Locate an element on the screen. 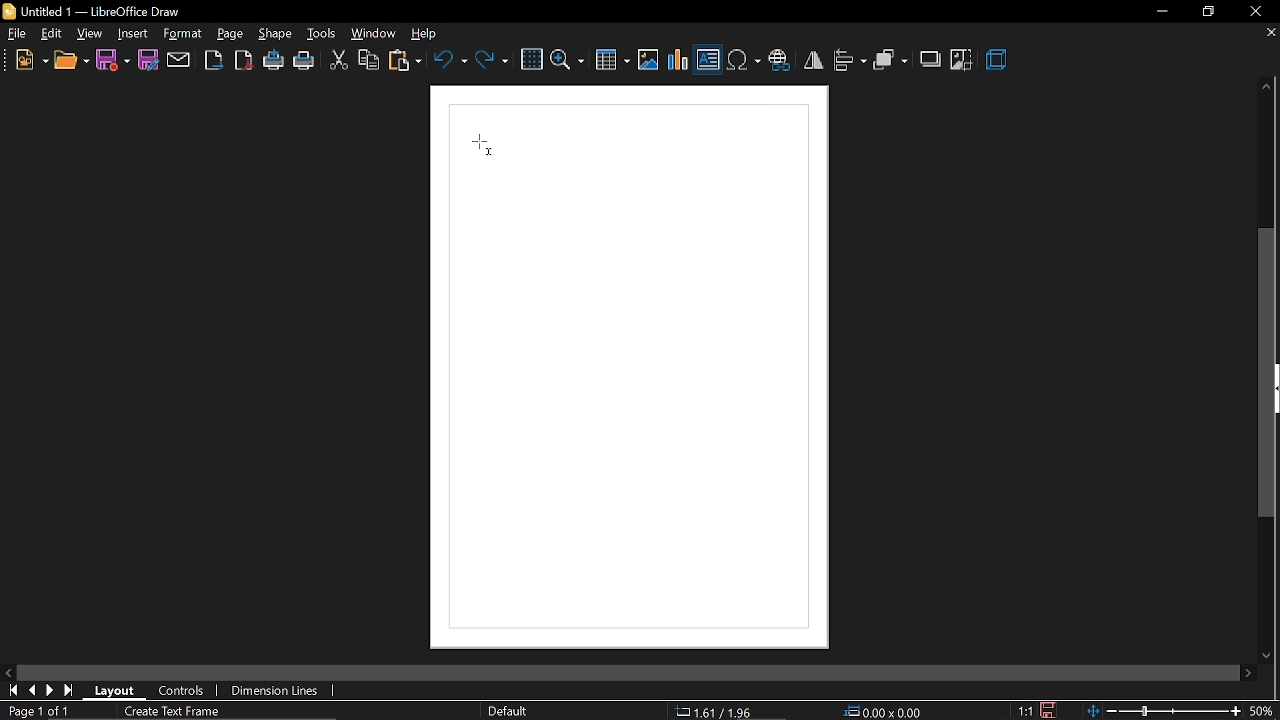 Image resolution: width=1280 pixels, height=720 pixels. attach is located at coordinates (179, 60).